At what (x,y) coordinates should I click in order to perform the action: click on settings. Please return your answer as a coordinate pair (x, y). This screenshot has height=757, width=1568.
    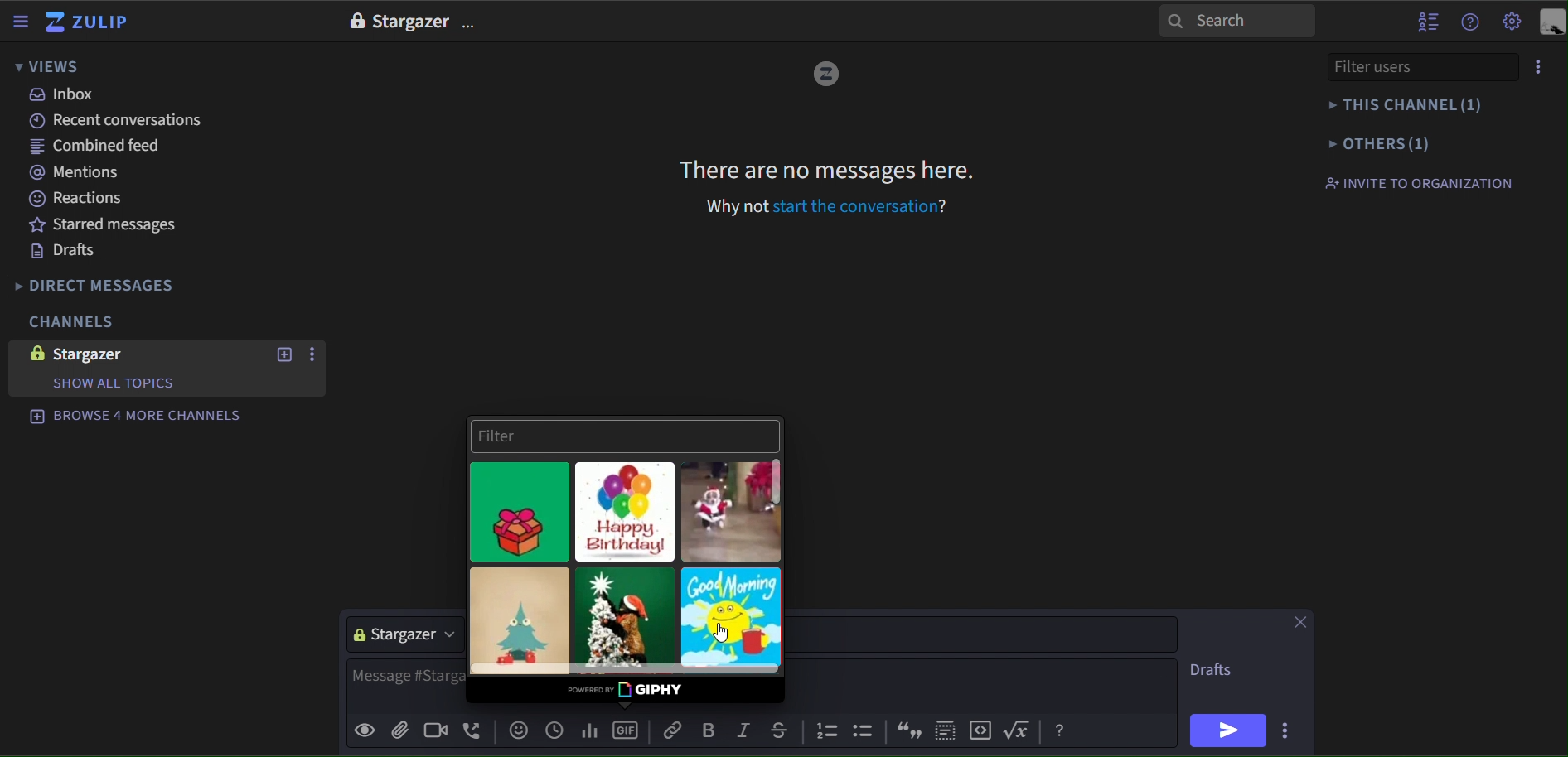
    Looking at the image, I should click on (1512, 23).